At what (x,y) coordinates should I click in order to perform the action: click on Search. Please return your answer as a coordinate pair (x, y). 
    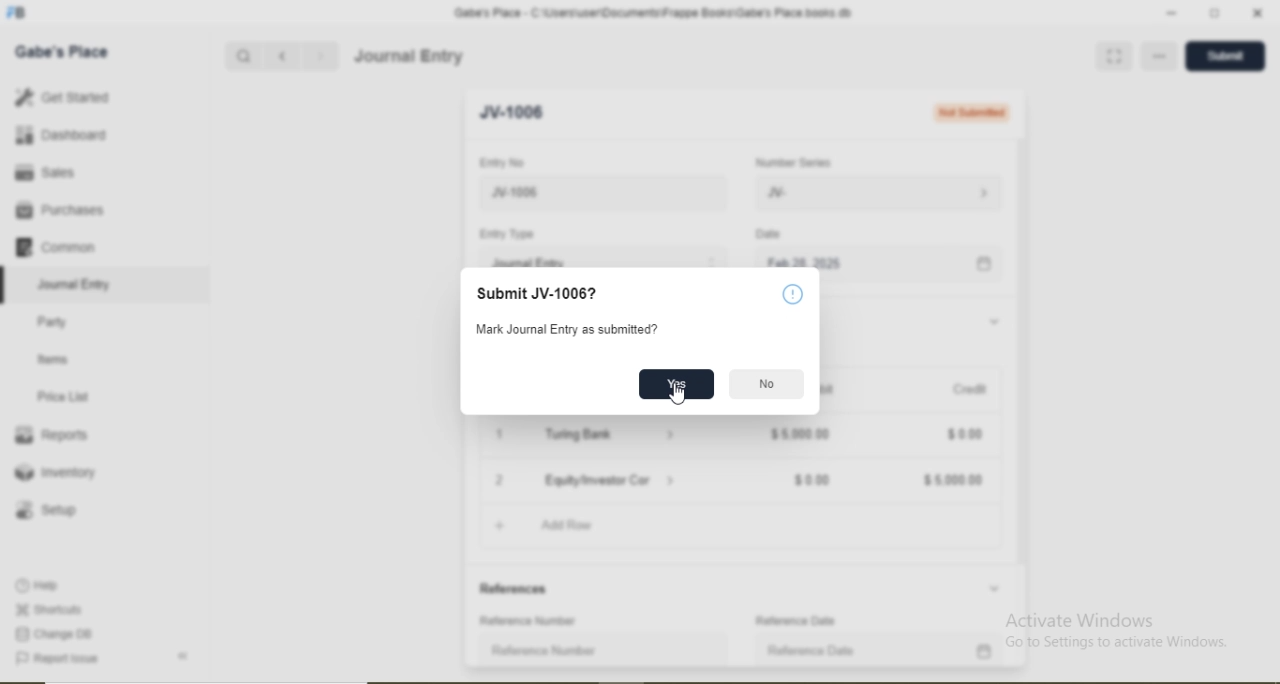
    Looking at the image, I should click on (242, 57).